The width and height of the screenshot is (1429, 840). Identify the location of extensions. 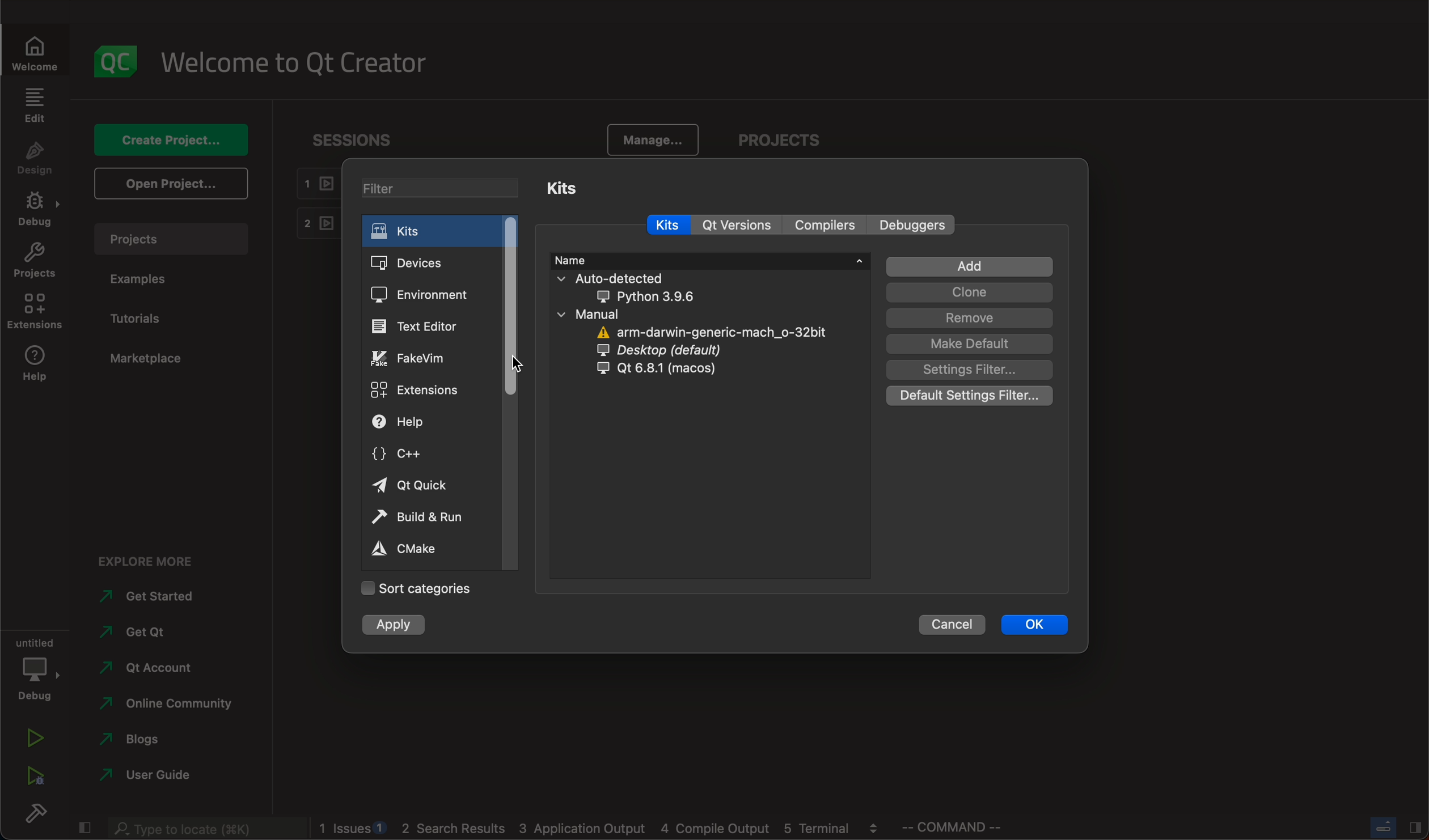
(35, 312).